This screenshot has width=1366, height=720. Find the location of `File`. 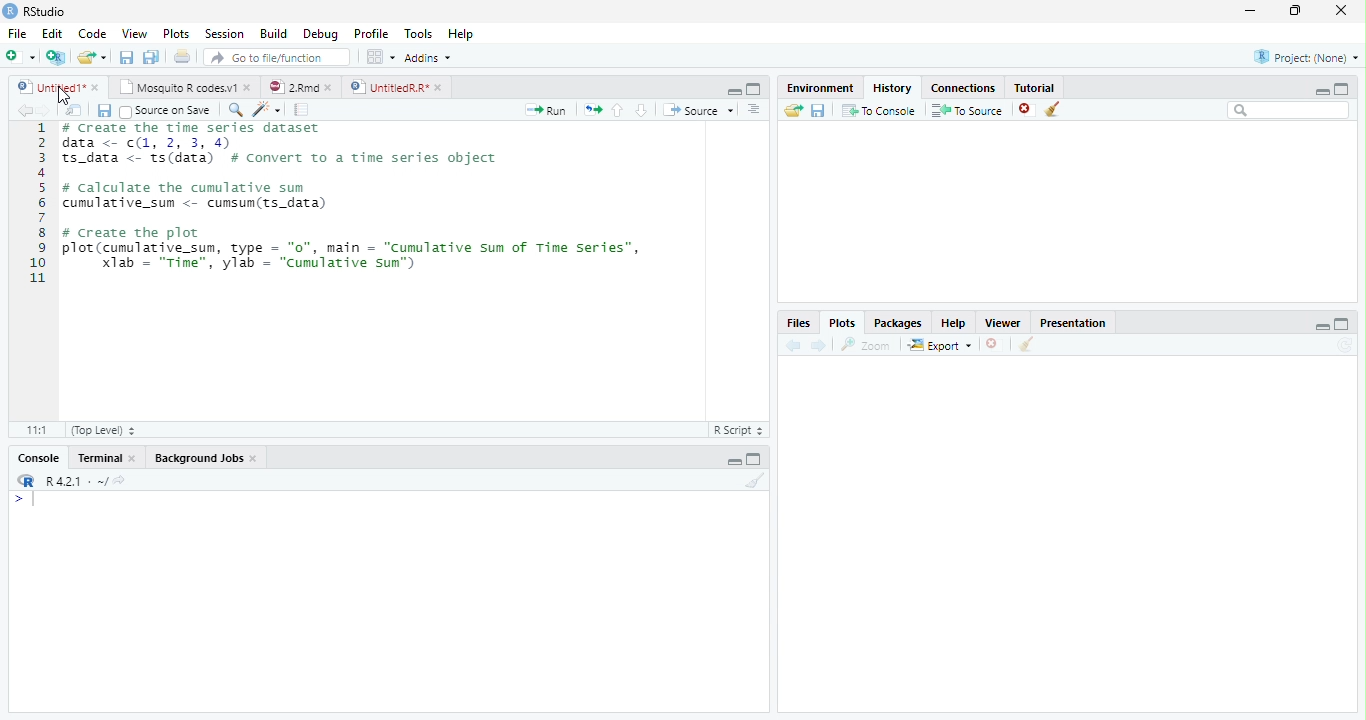

File is located at coordinates (16, 34).